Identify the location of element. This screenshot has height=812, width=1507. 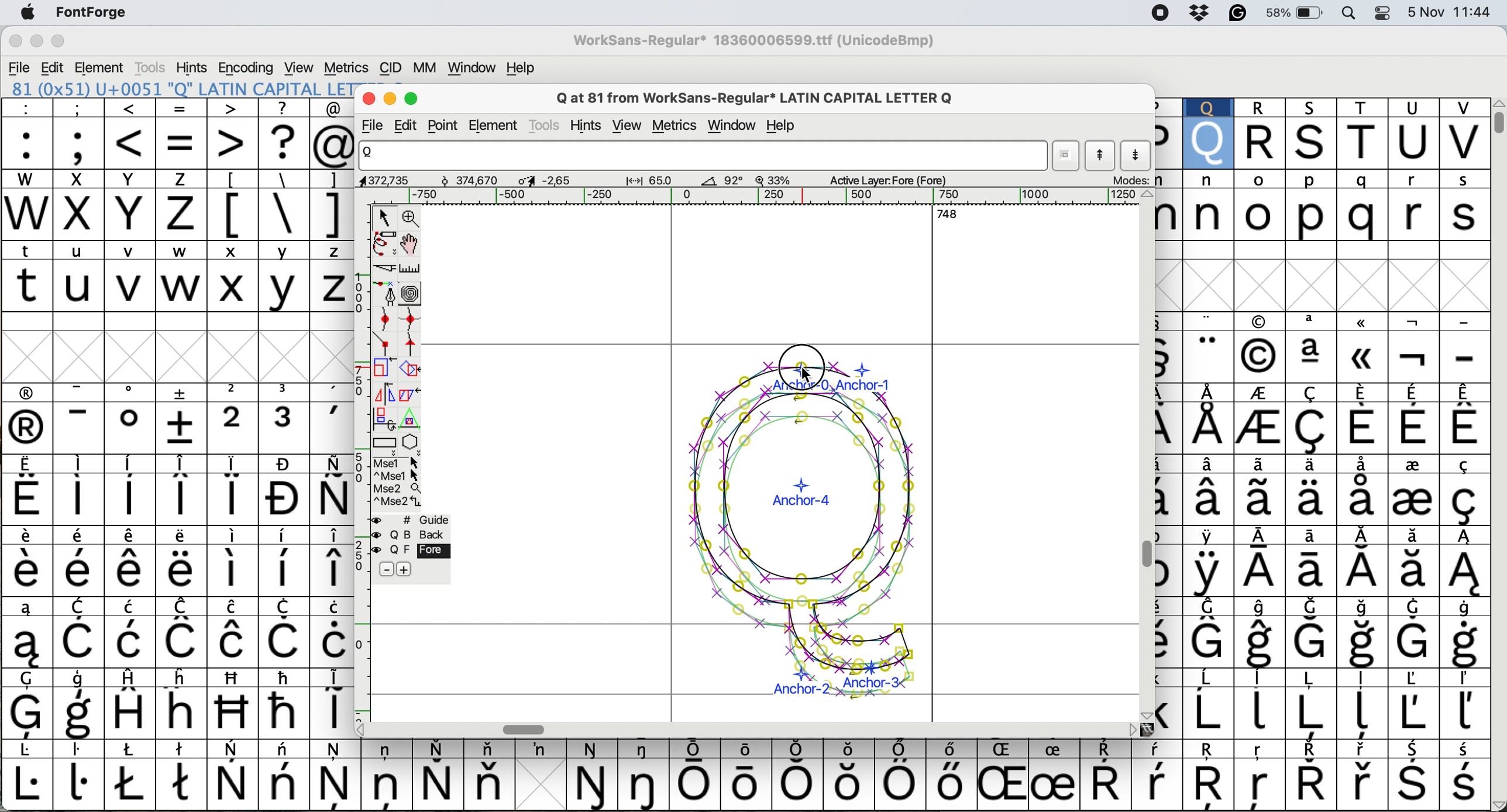
(497, 125).